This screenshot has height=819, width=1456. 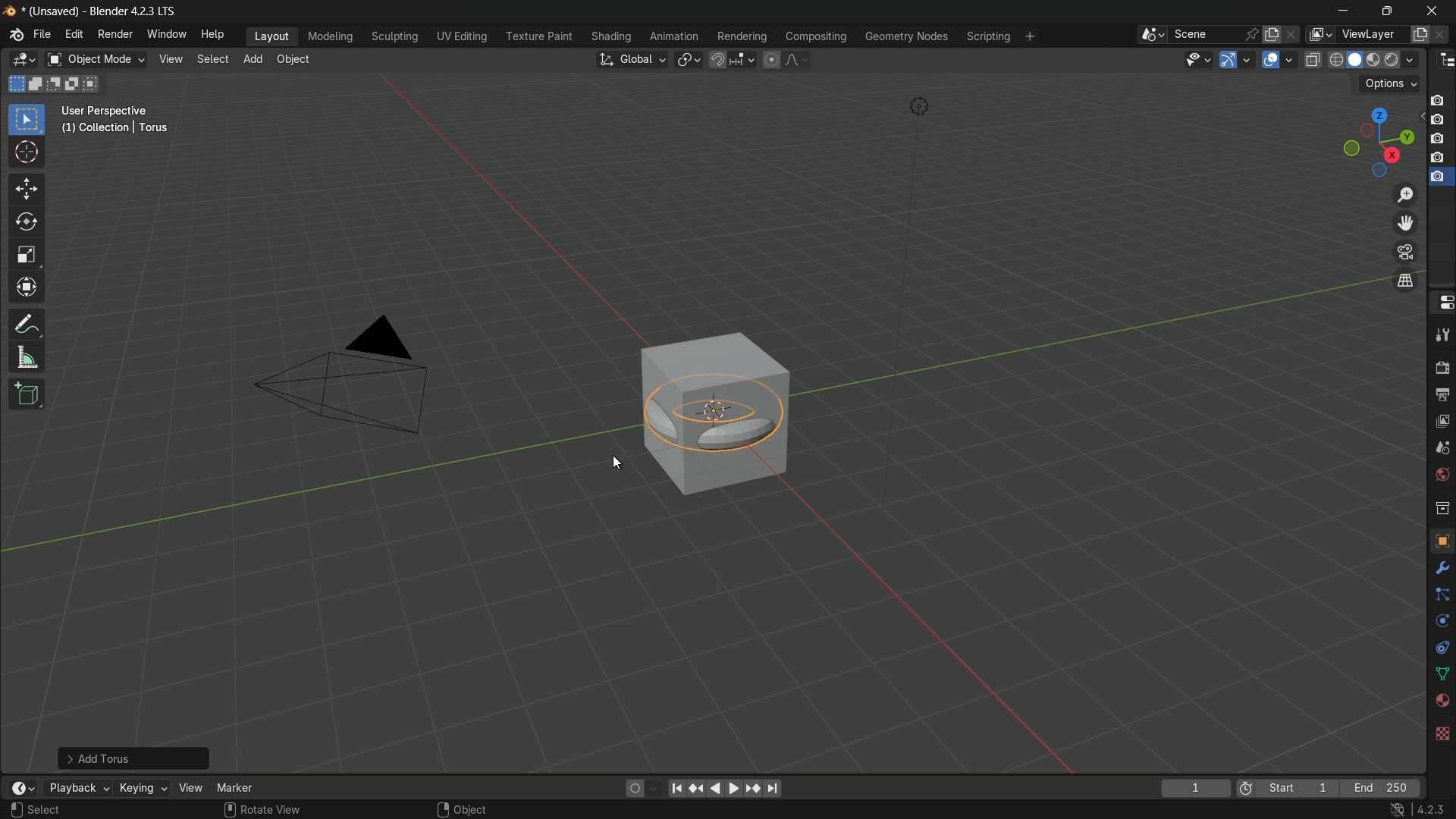 What do you see at coordinates (1246, 790) in the screenshot?
I see `icon` at bounding box center [1246, 790].